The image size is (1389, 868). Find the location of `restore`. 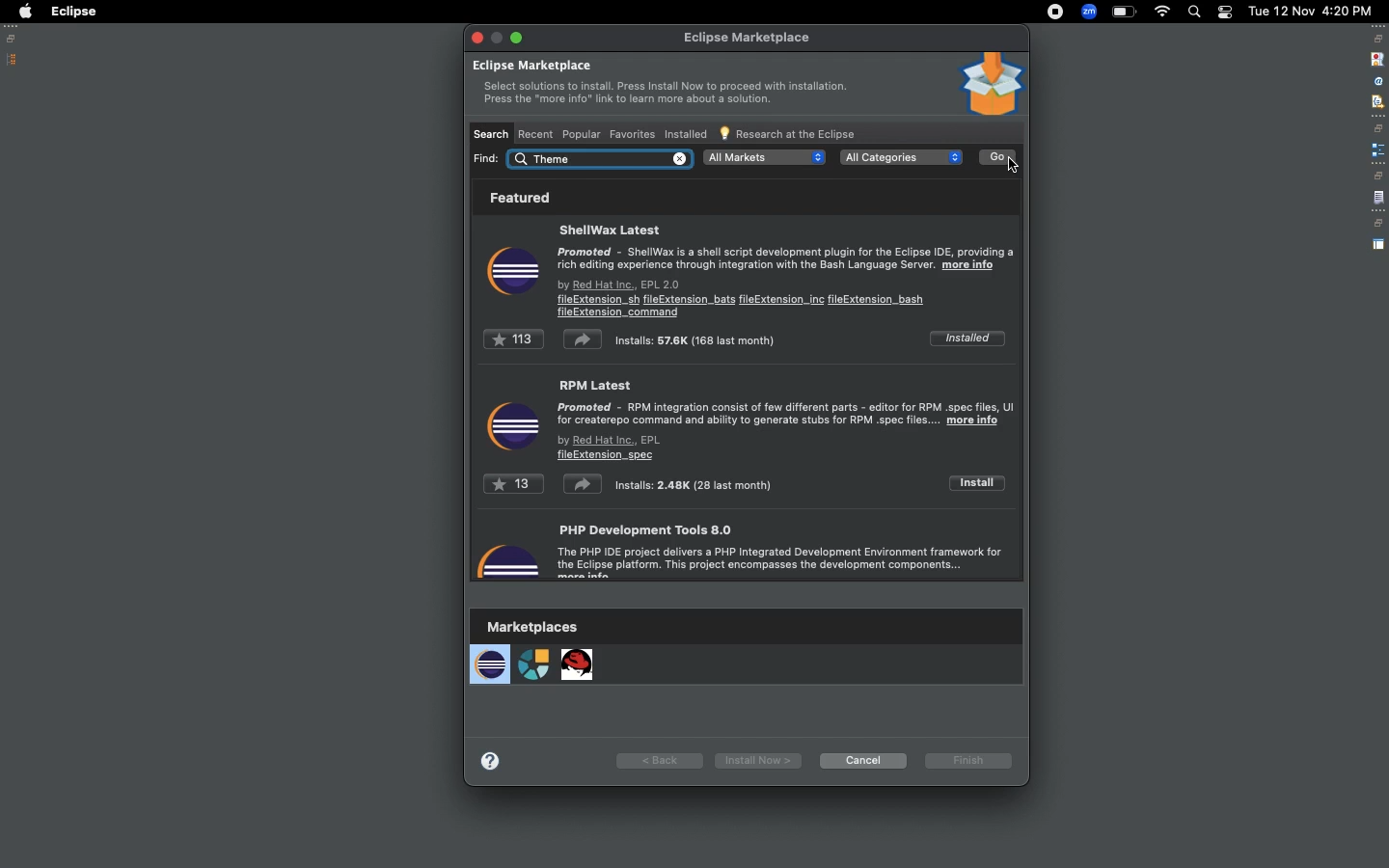

restore is located at coordinates (1378, 39).